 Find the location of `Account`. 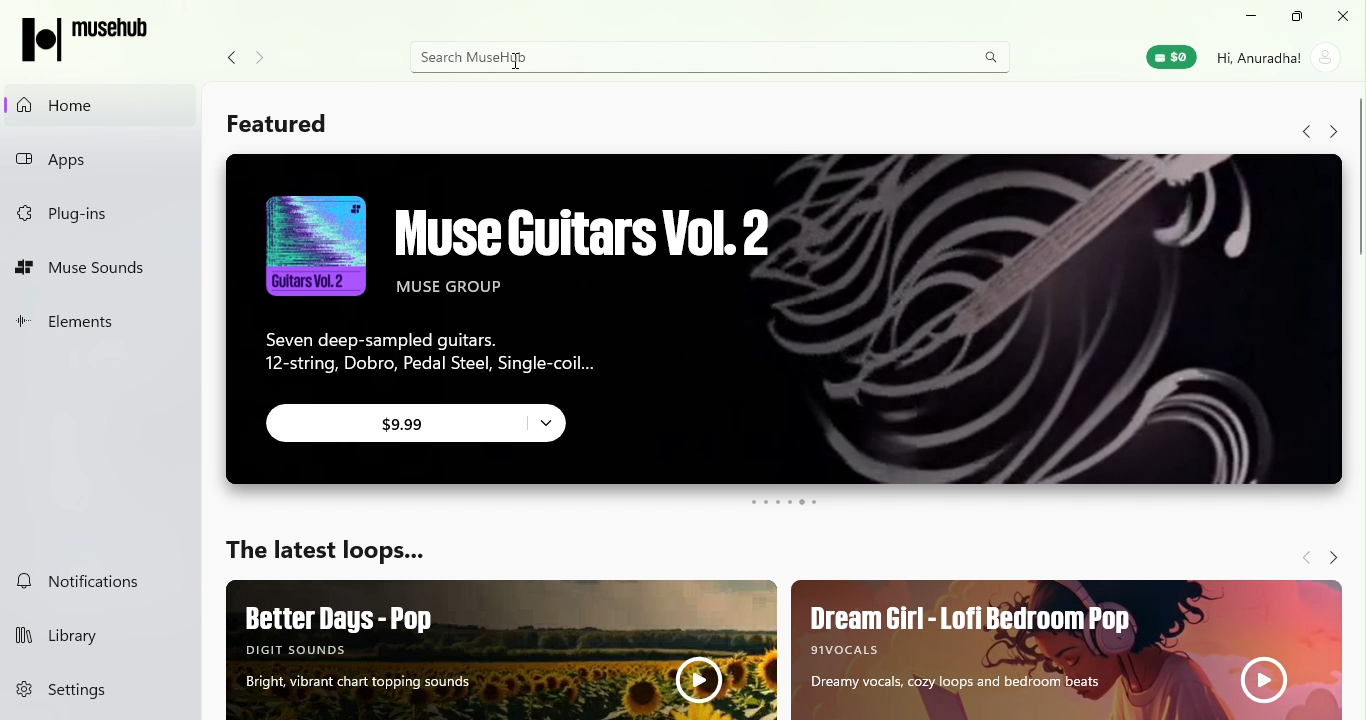

Account is located at coordinates (1279, 56).